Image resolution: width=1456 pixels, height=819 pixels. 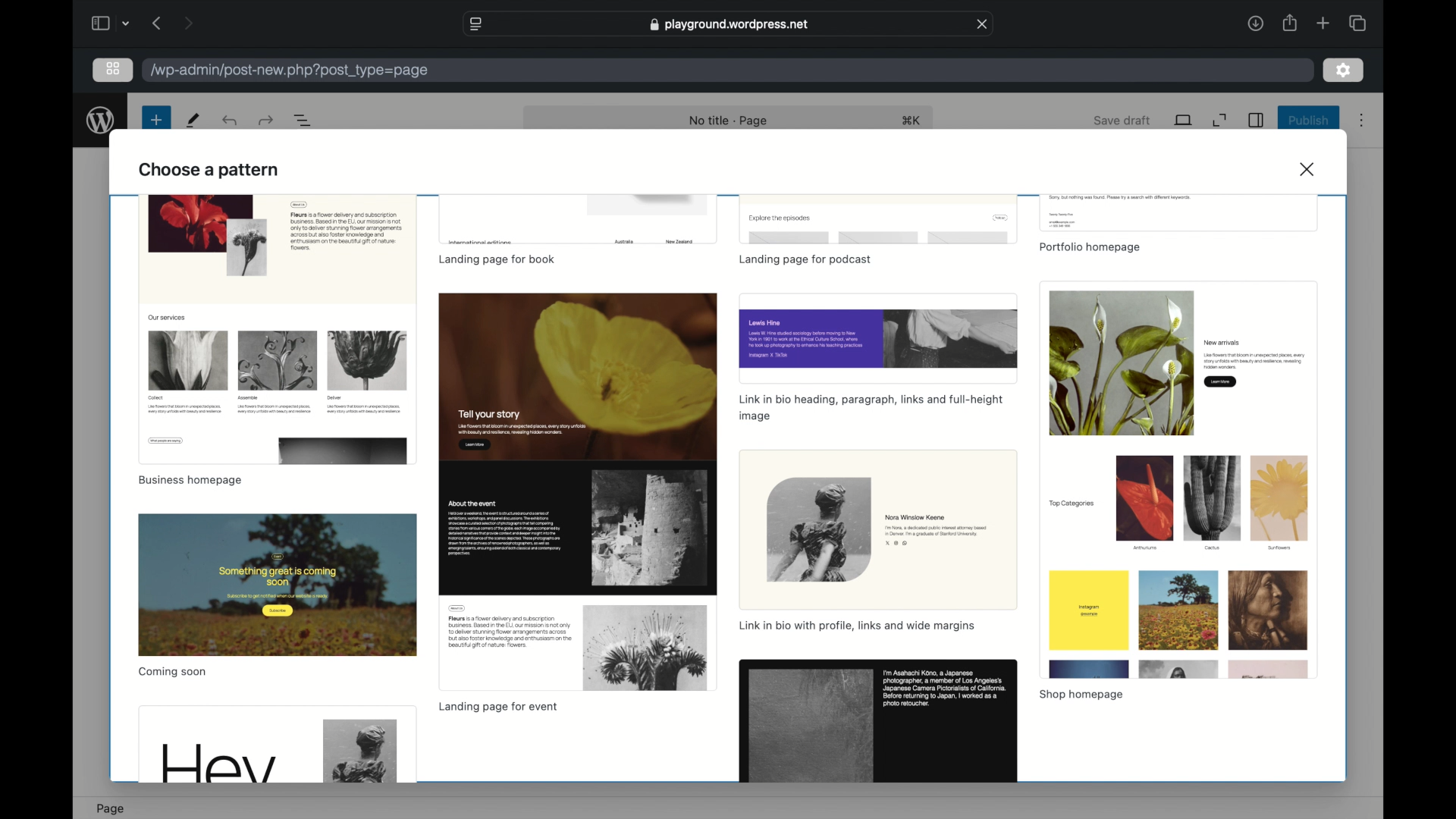 I want to click on preview, so click(x=879, y=723).